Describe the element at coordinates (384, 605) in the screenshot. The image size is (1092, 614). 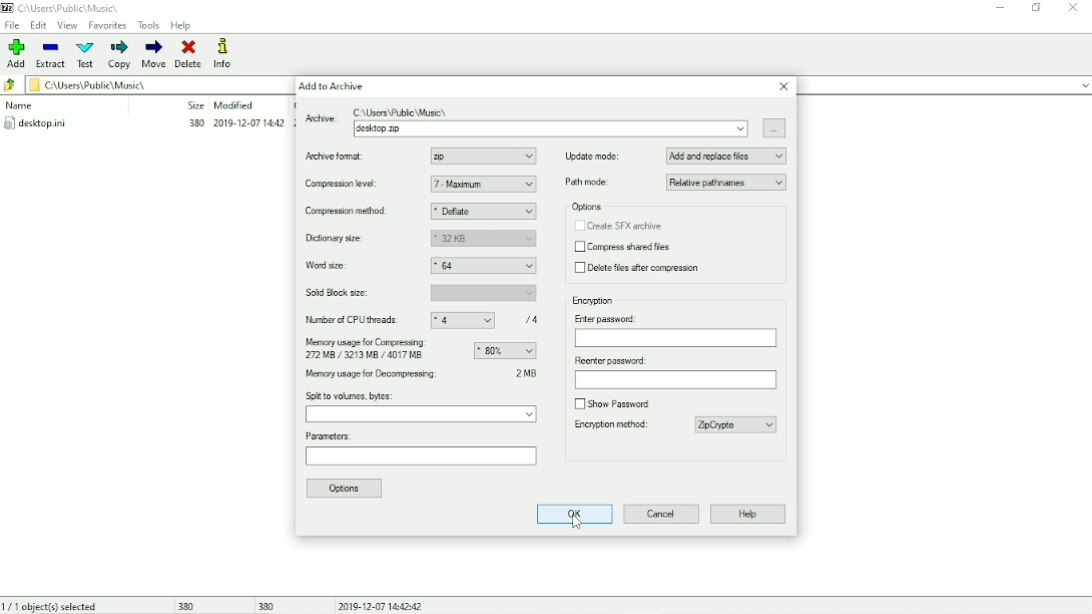
I see `Date and Time` at that location.